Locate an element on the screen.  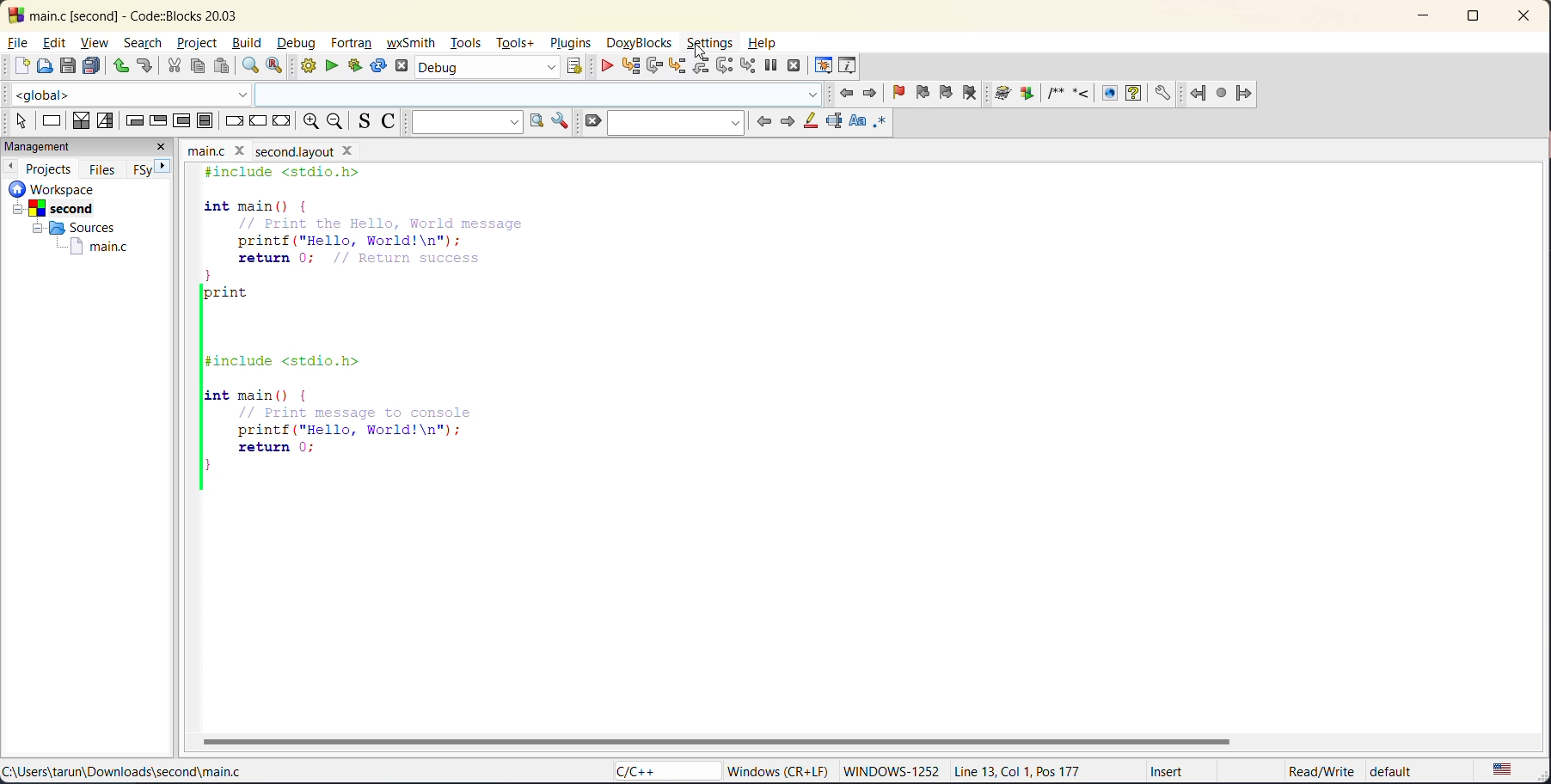
replace is located at coordinates (282, 67).